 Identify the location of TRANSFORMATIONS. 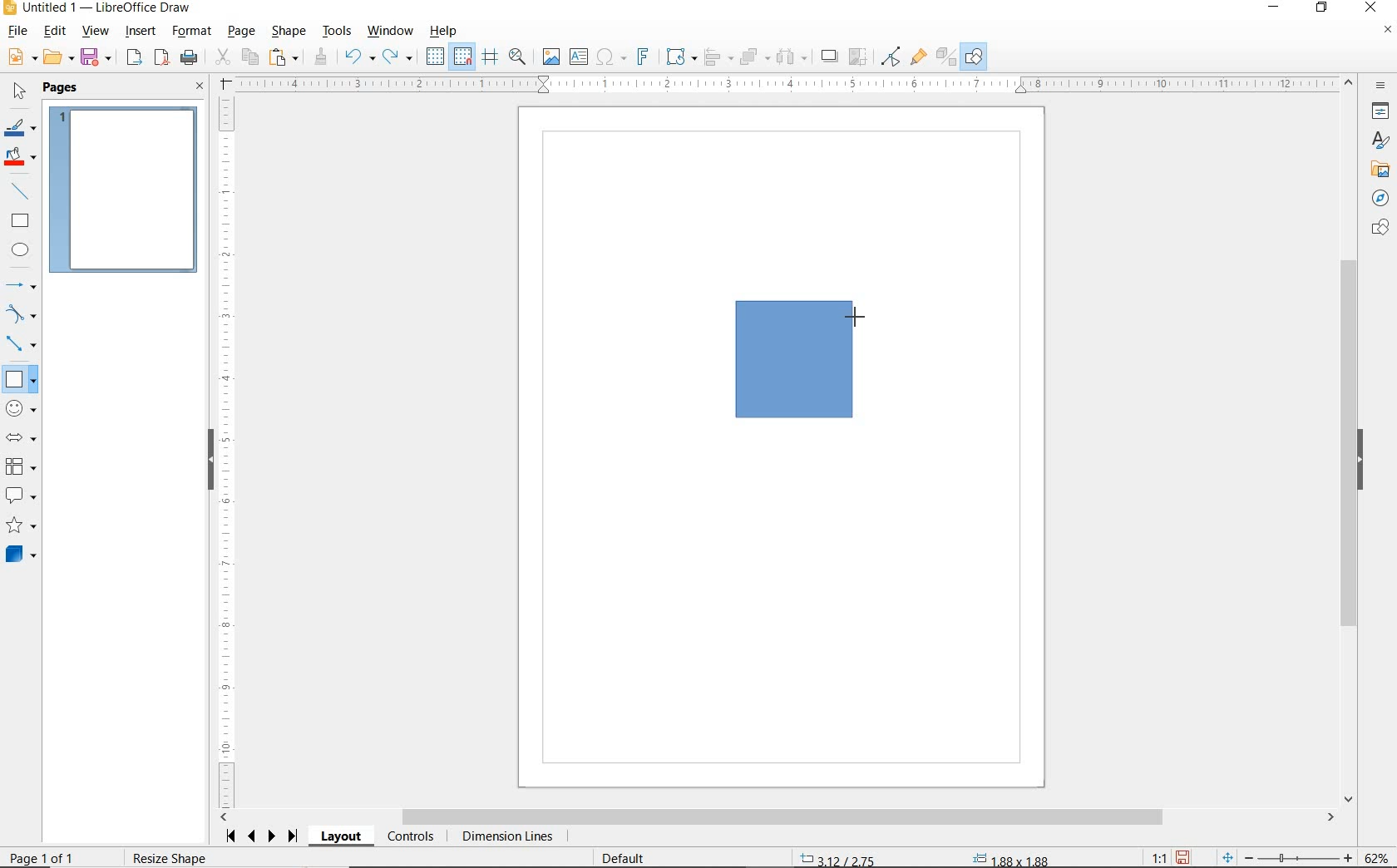
(679, 57).